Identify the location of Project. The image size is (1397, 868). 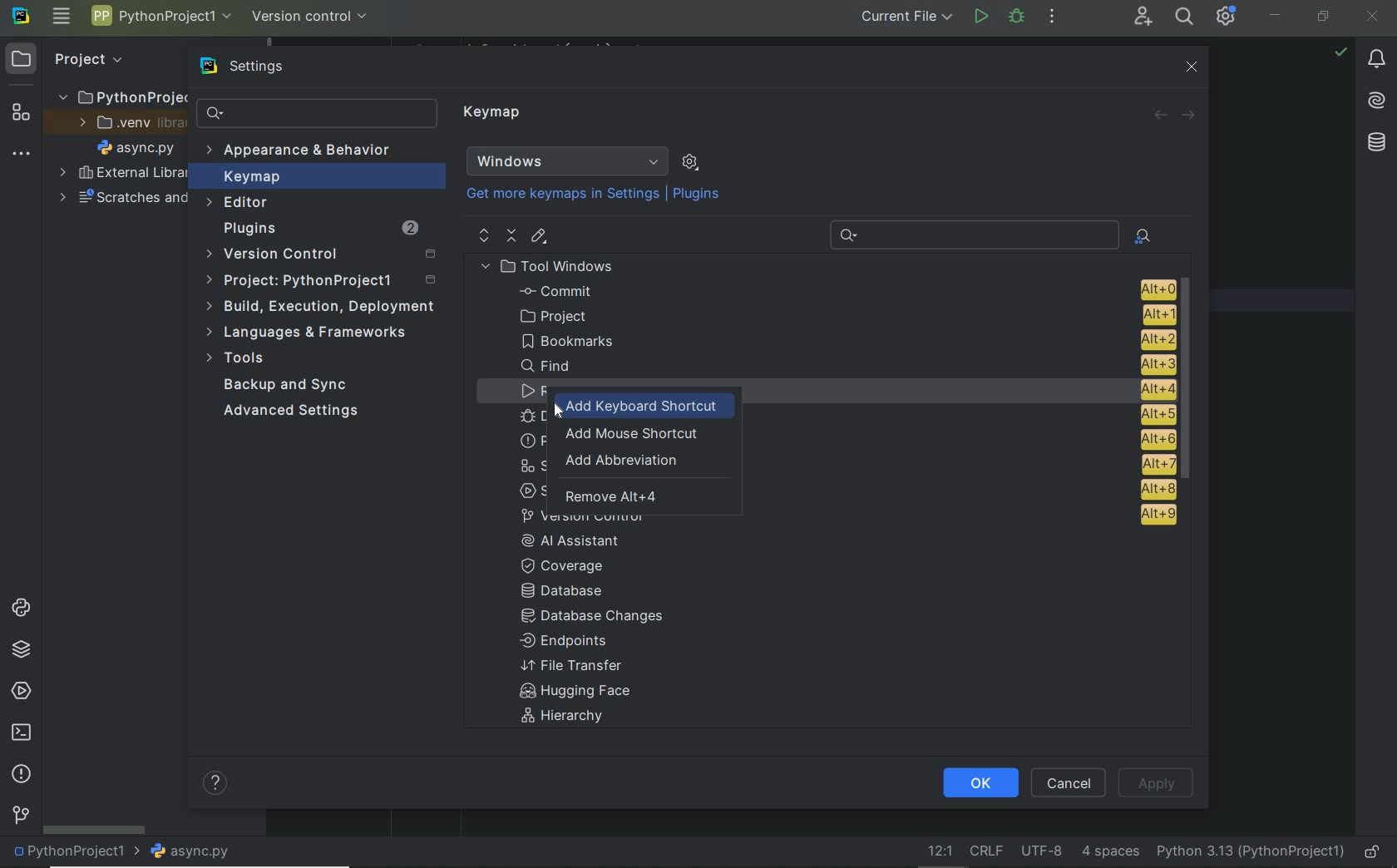
(72, 58).